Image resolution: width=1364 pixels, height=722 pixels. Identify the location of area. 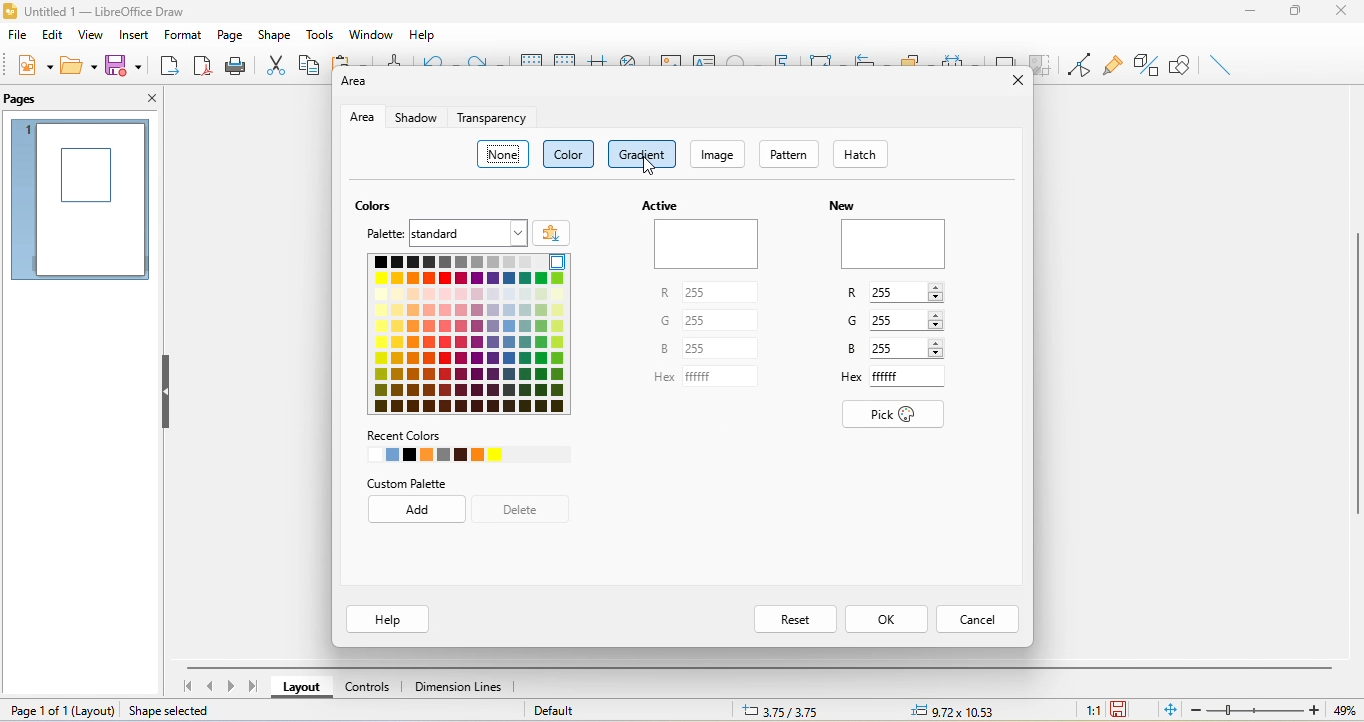
(359, 118).